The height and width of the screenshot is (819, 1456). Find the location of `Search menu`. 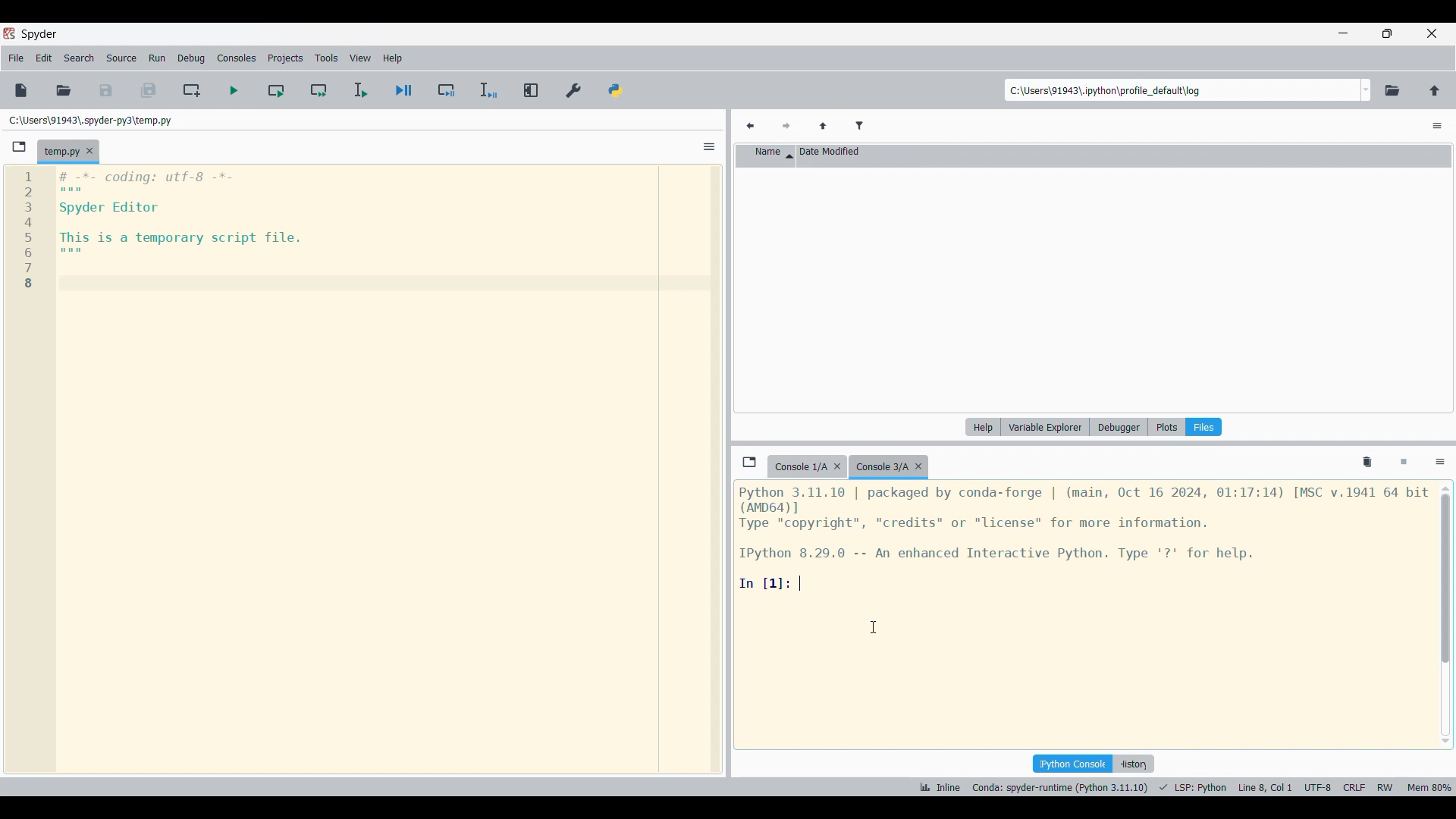

Search menu is located at coordinates (80, 58).